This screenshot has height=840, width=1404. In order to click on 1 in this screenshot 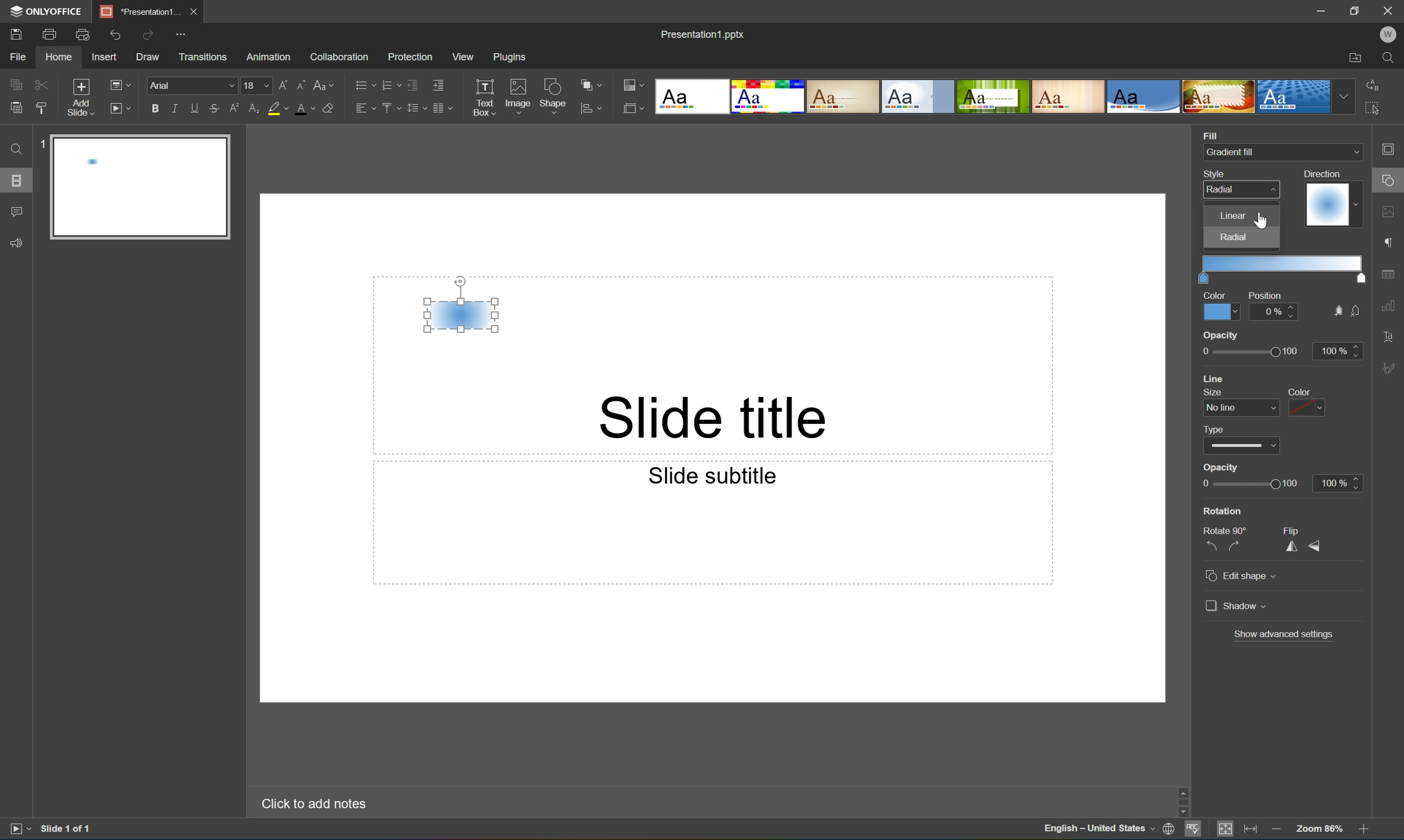, I will do `click(41, 147)`.